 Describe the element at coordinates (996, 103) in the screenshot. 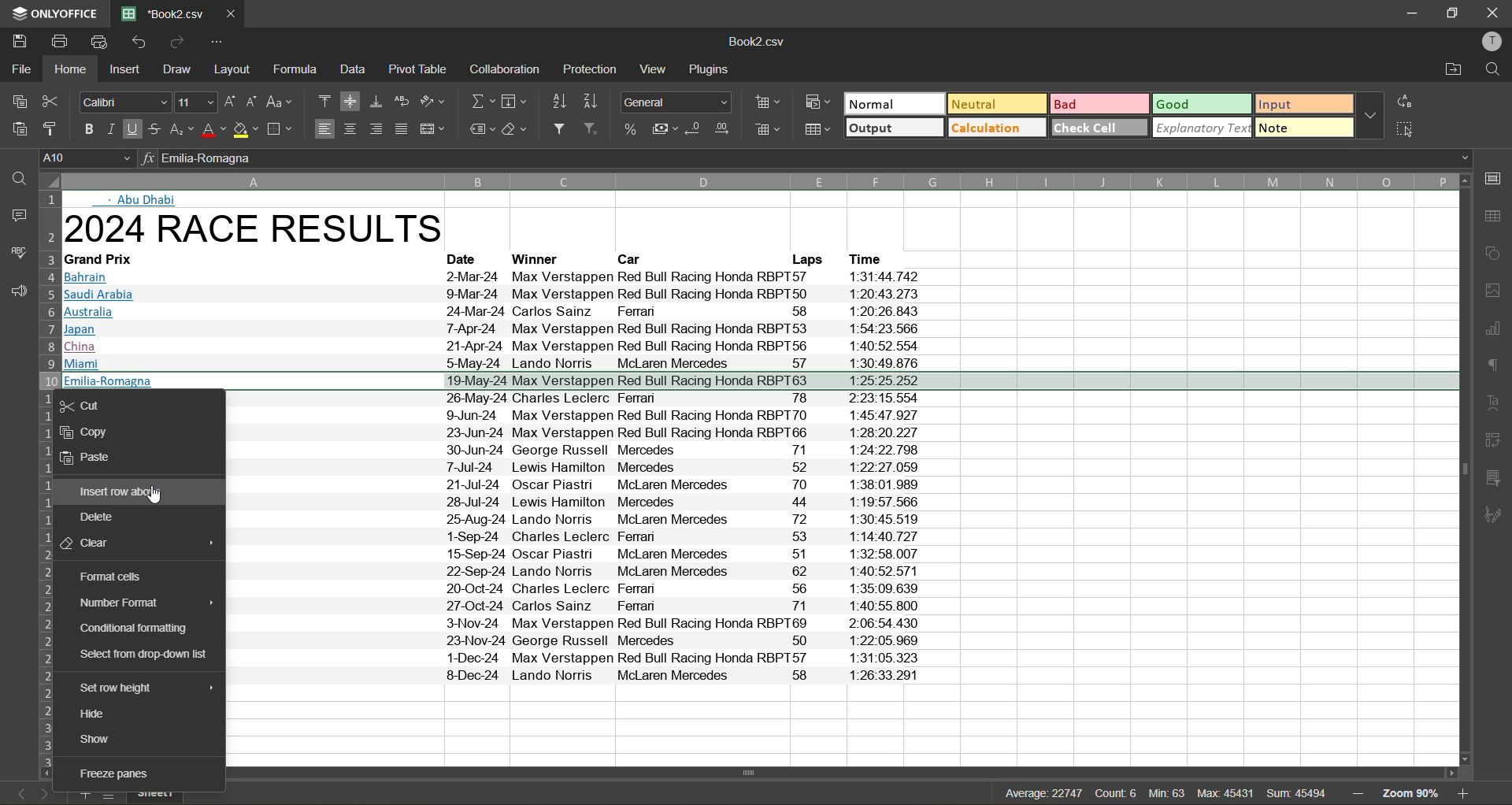

I see `neutral` at that location.